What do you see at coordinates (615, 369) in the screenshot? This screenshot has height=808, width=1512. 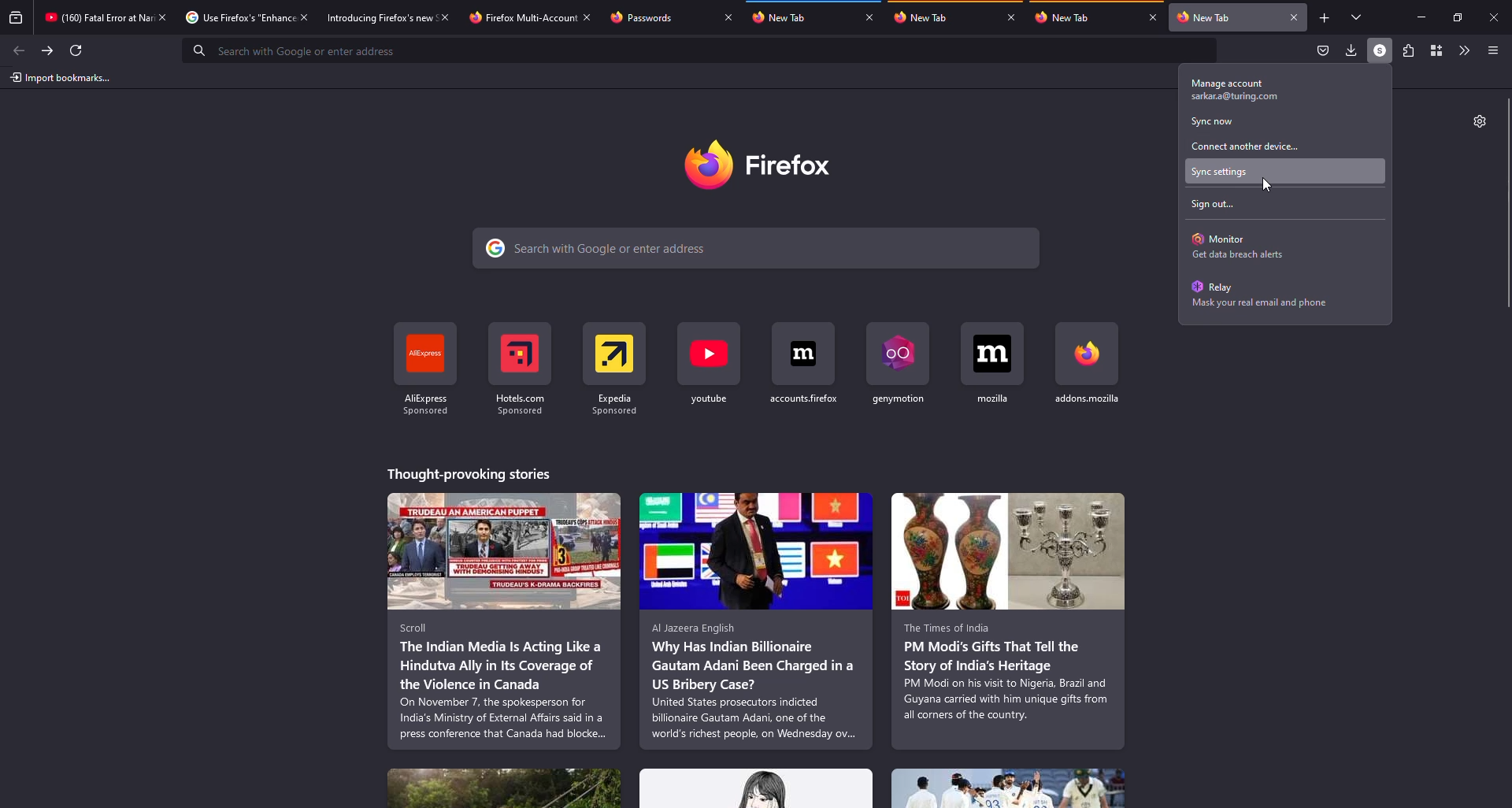 I see `shortcut` at bounding box center [615, 369].